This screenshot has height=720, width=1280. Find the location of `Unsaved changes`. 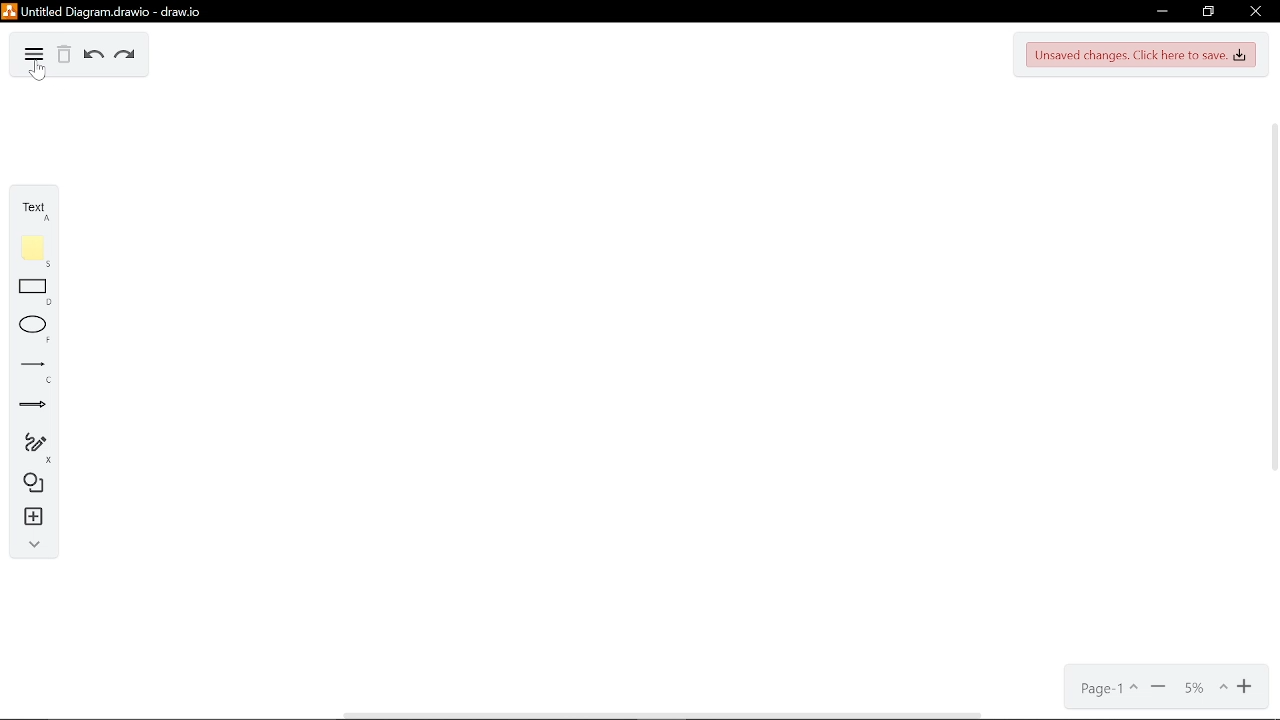

Unsaved changes is located at coordinates (1142, 55).